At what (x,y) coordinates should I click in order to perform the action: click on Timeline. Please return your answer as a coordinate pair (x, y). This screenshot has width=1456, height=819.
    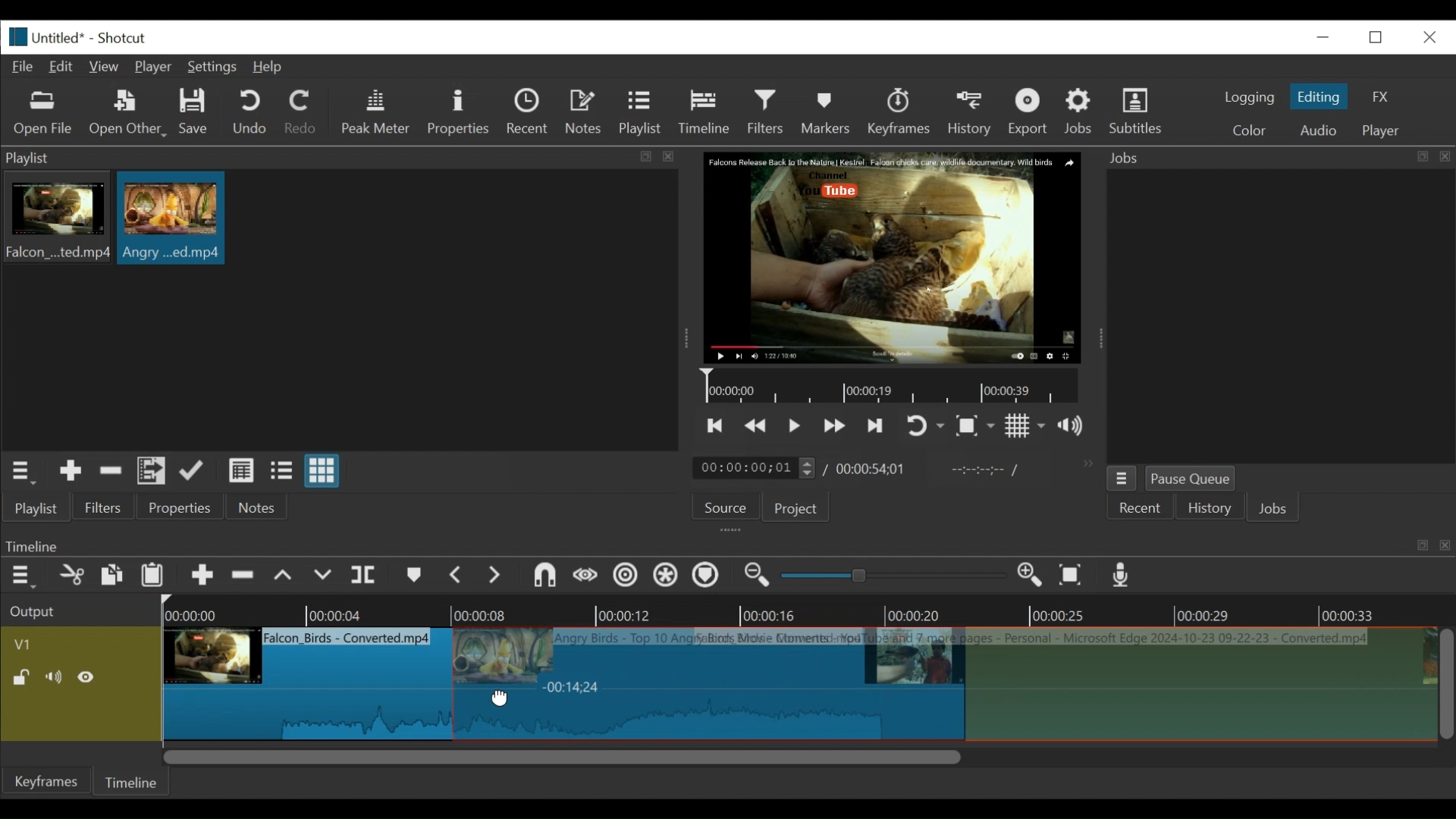
    Looking at the image, I should click on (808, 610).